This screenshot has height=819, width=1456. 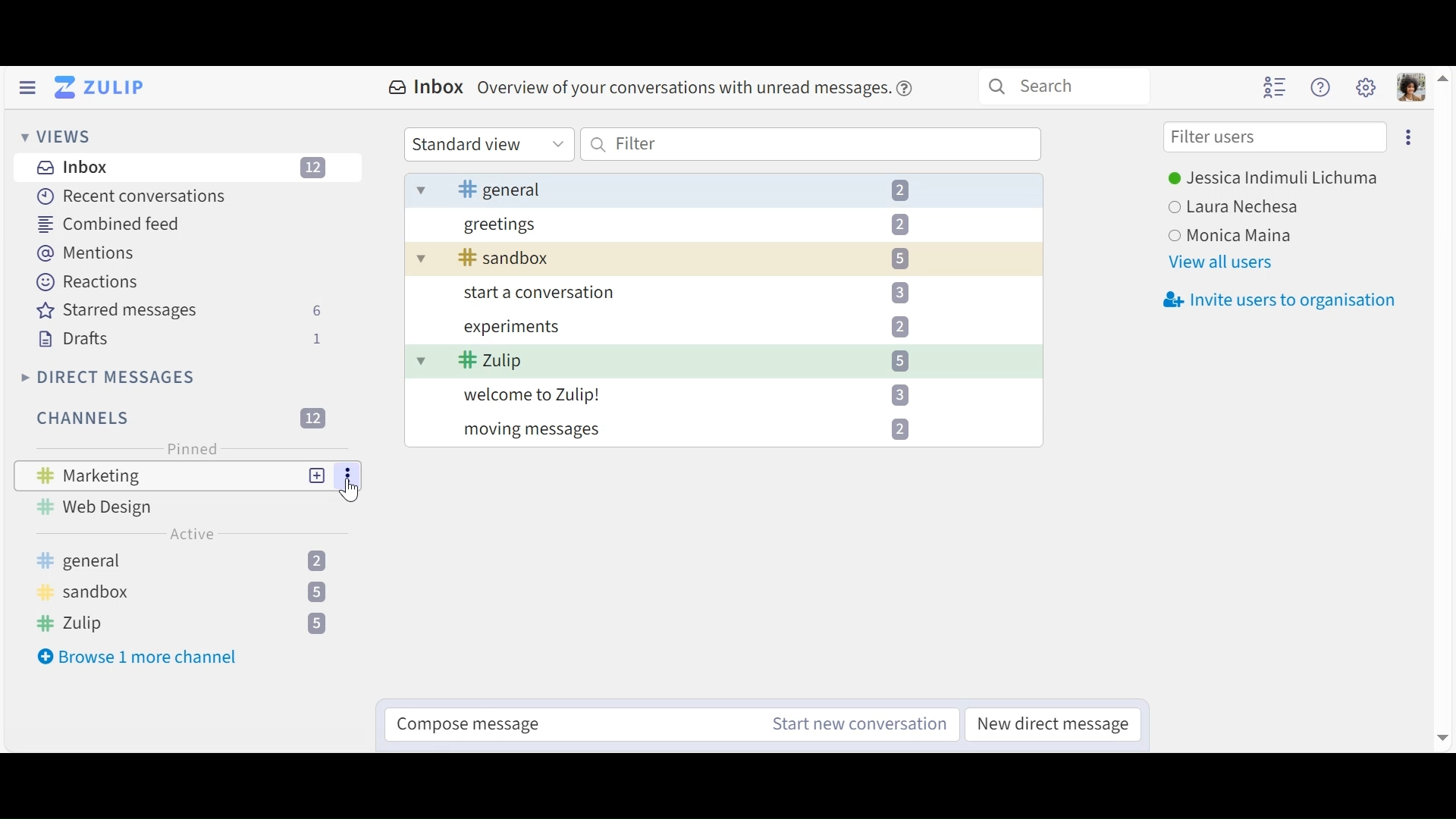 I want to click on Standard view, so click(x=488, y=144).